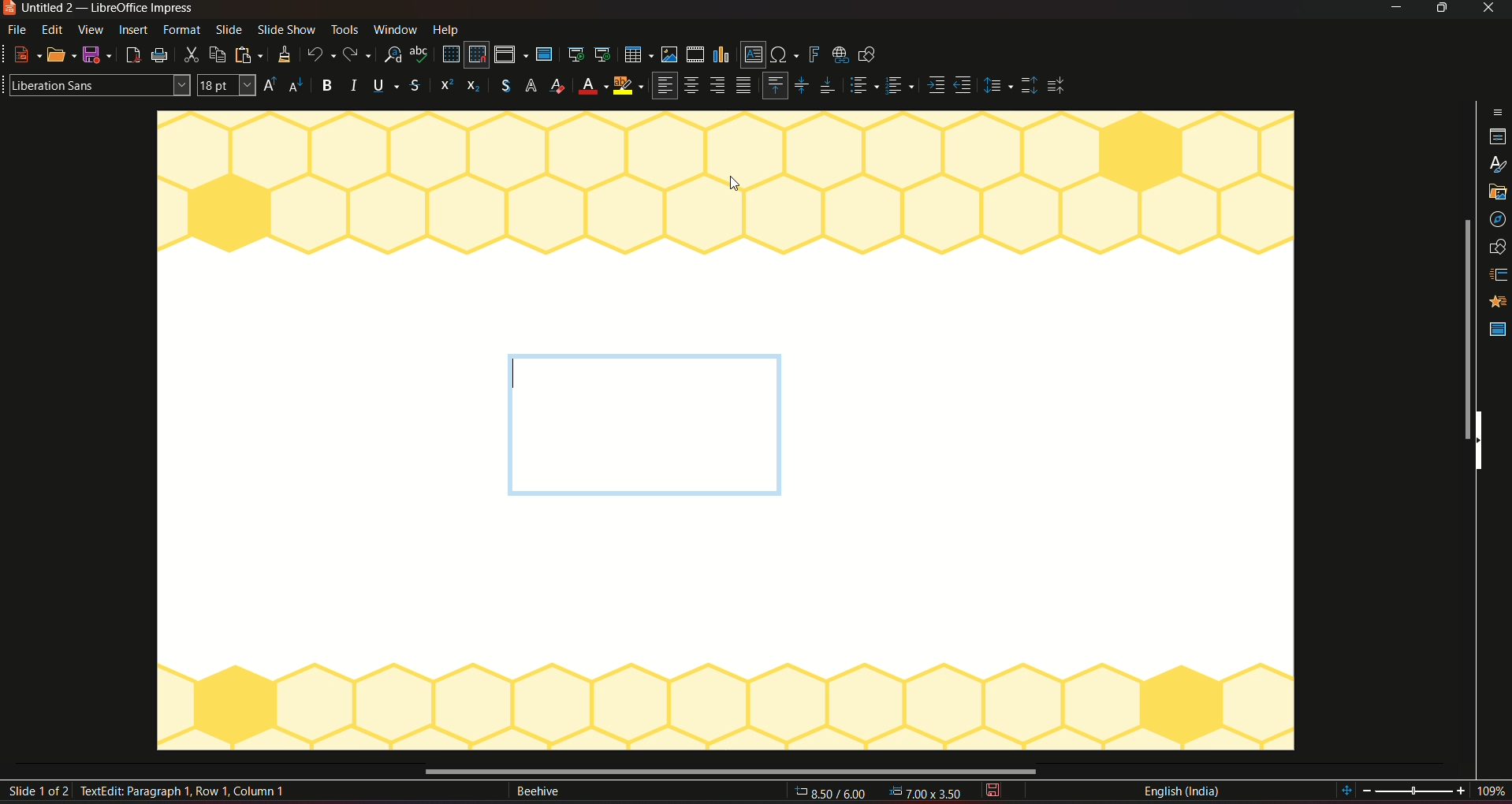  What do you see at coordinates (832, 795) in the screenshot?
I see `cursor location: 8.70/6.06` at bounding box center [832, 795].